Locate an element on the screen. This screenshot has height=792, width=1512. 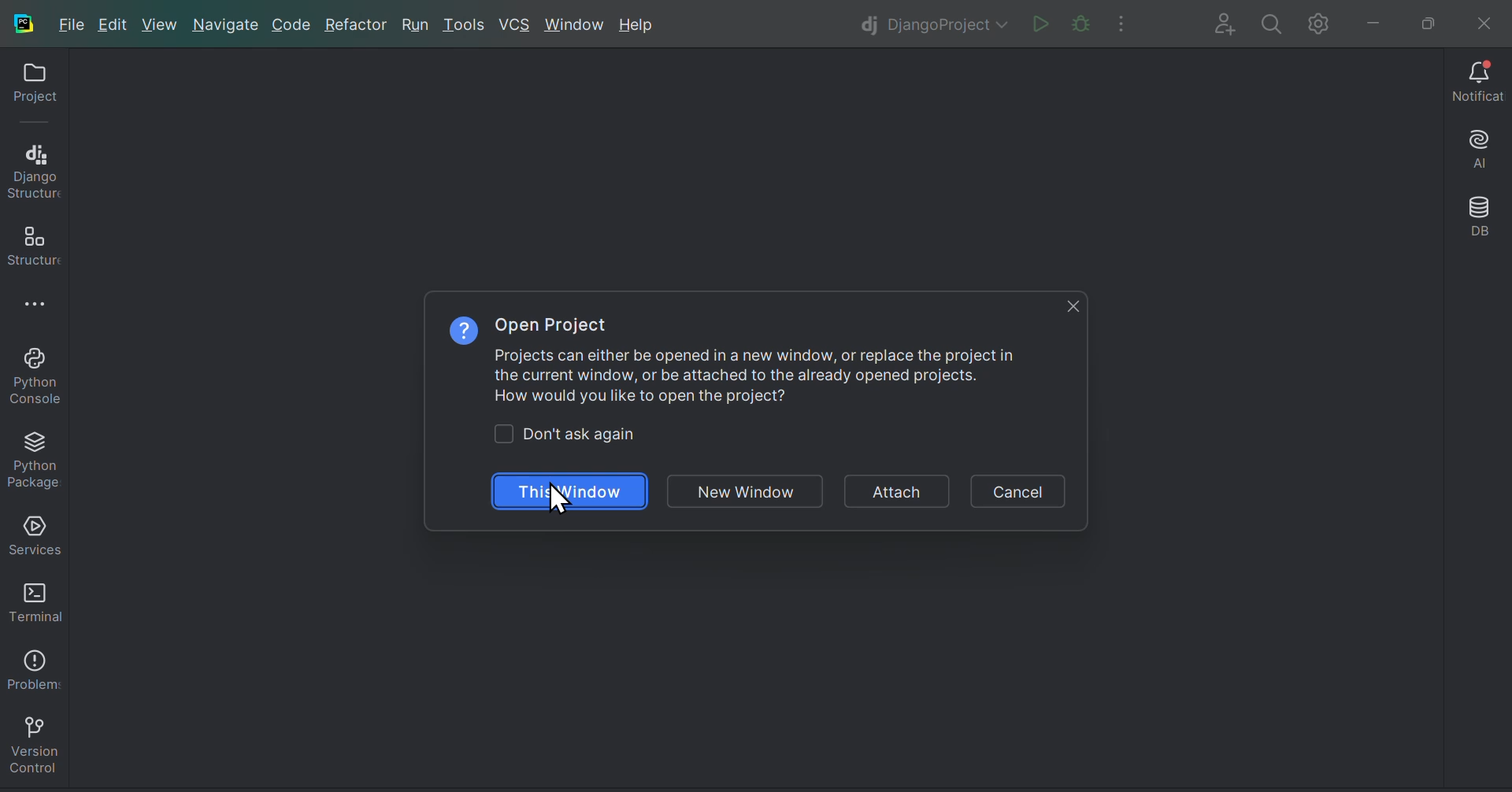
More actions is located at coordinates (1127, 20).